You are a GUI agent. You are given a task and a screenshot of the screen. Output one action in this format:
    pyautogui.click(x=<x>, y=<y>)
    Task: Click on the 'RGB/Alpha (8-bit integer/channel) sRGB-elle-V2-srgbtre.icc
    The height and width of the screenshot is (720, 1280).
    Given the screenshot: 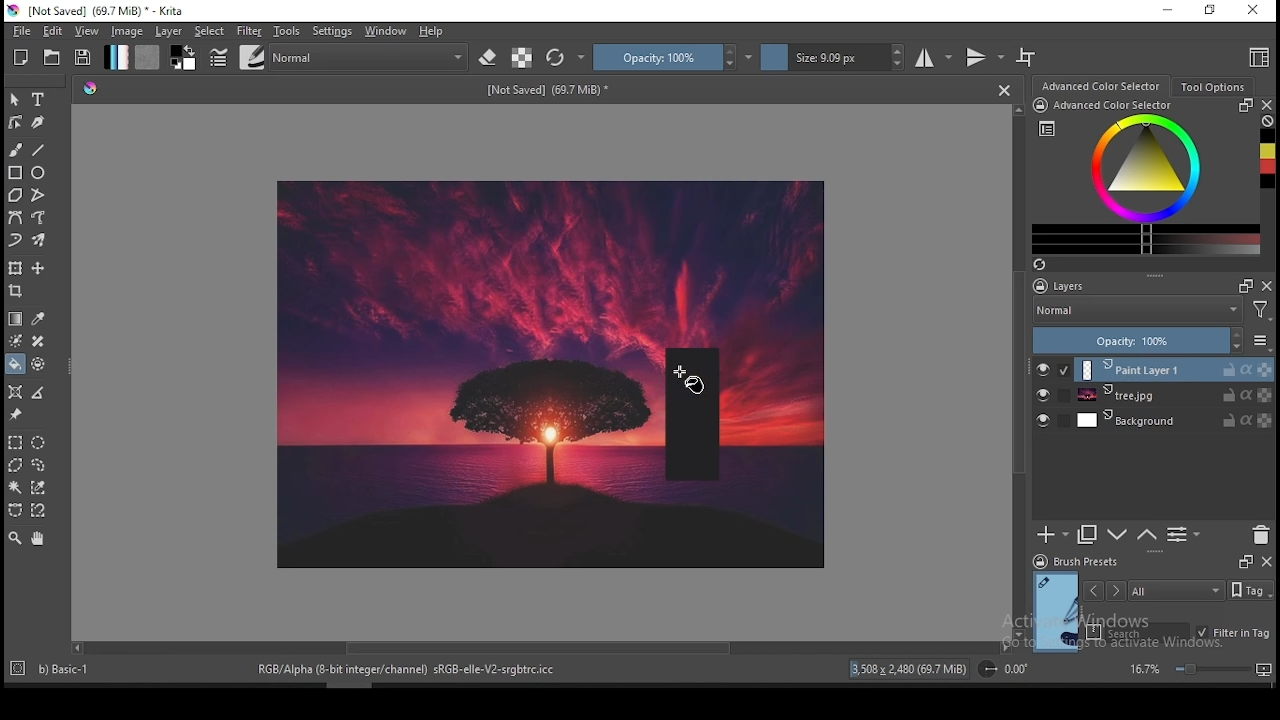 What is the action you would take?
    pyautogui.click(x=408, y=670)
    